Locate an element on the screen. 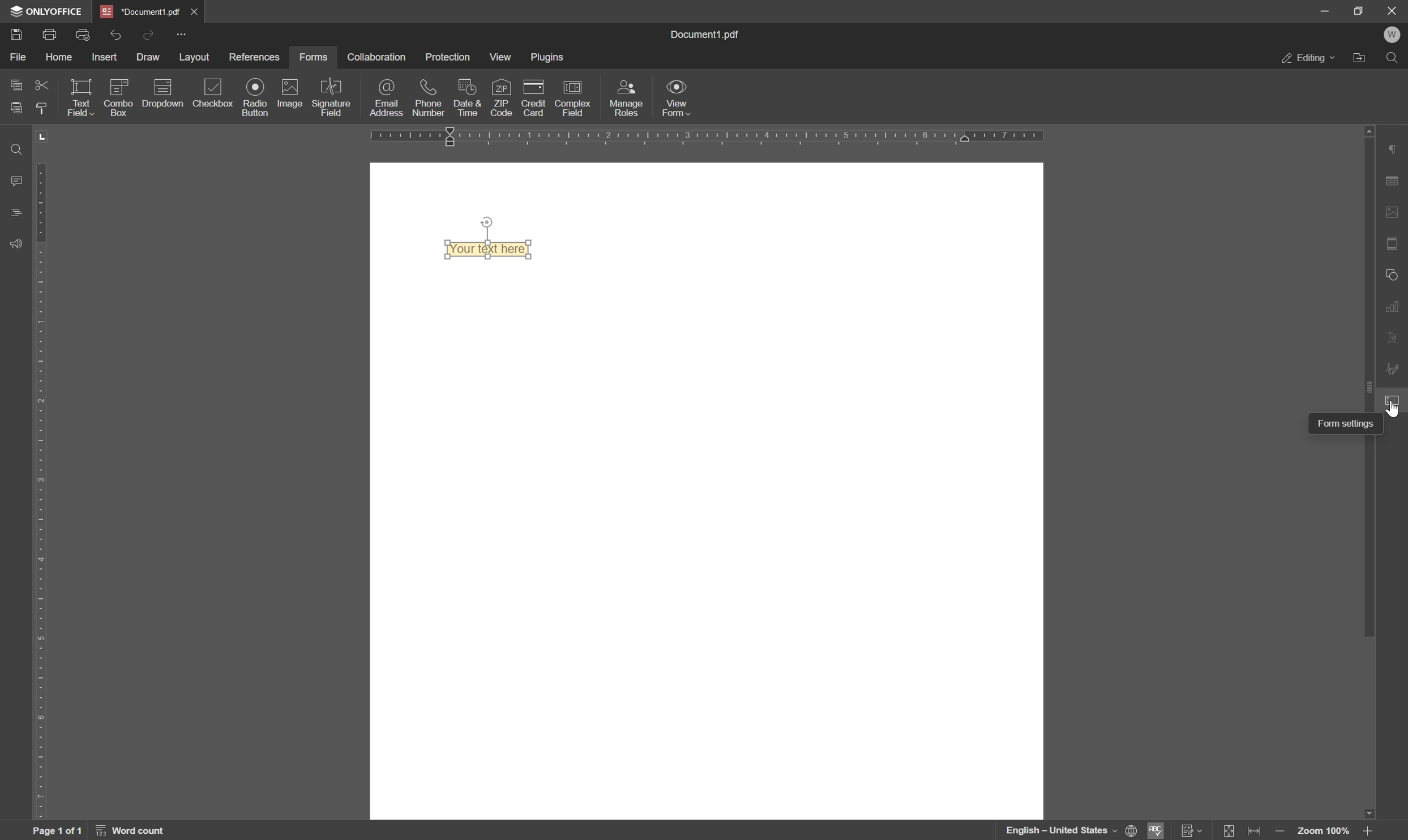 The height and width of the screenshot is (840, 1408). scroll bar is located at coordinates (1365, 387).